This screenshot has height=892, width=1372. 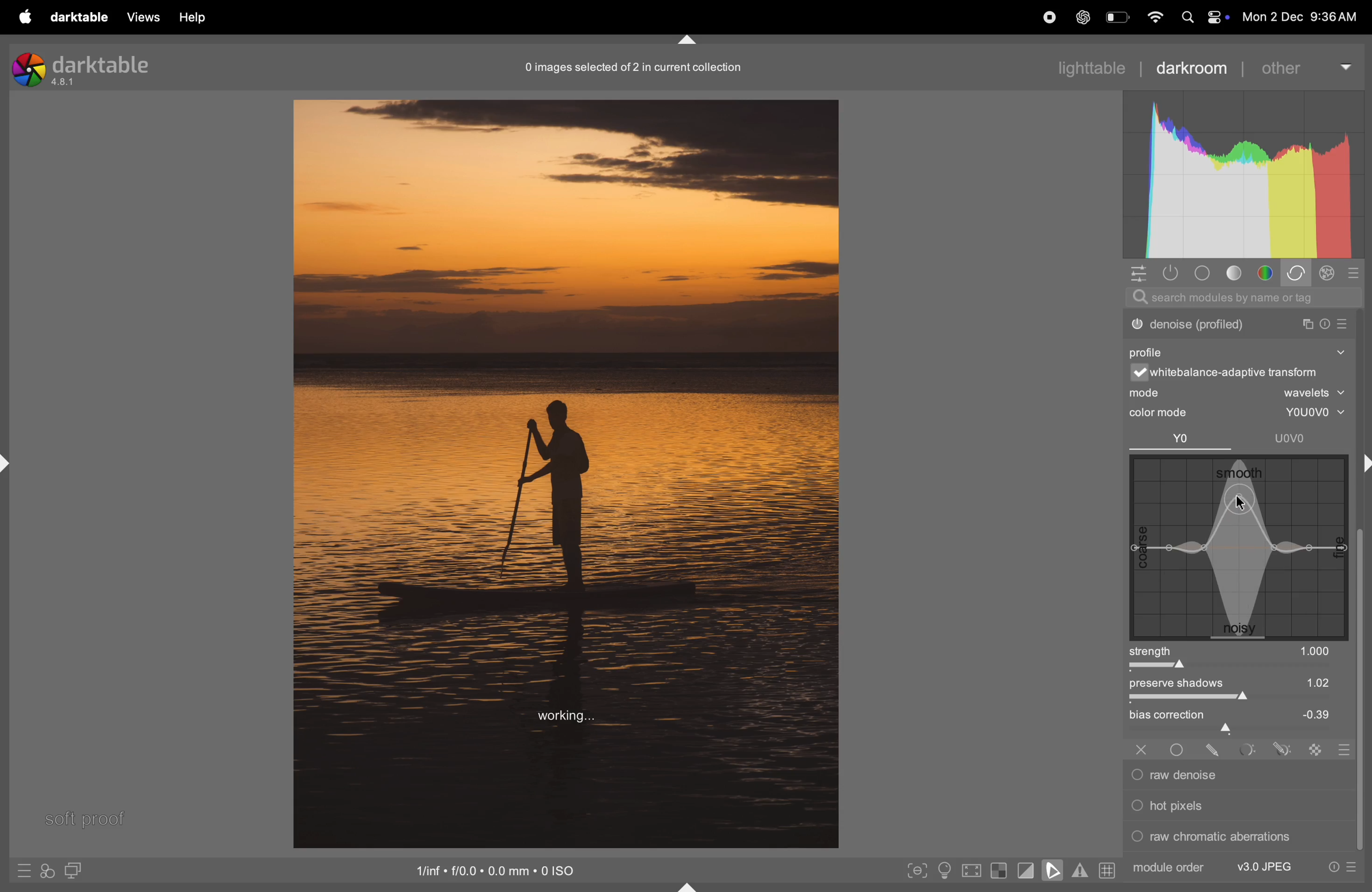 I want to click on module order, so click(x=1169, y=867).